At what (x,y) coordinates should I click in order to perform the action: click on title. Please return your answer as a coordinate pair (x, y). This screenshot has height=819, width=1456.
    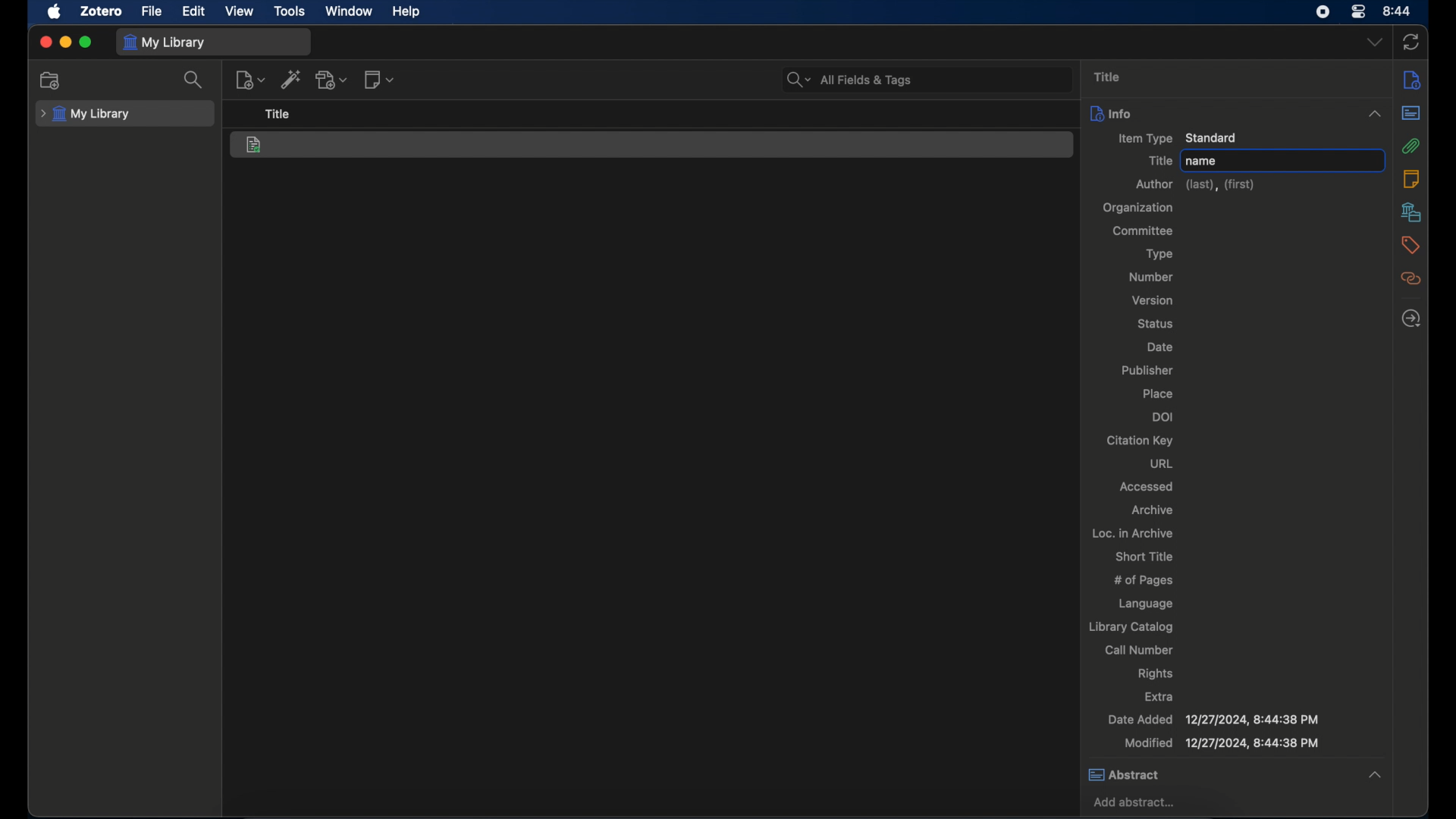
    Looking at the image, I should click on (1159, 161).